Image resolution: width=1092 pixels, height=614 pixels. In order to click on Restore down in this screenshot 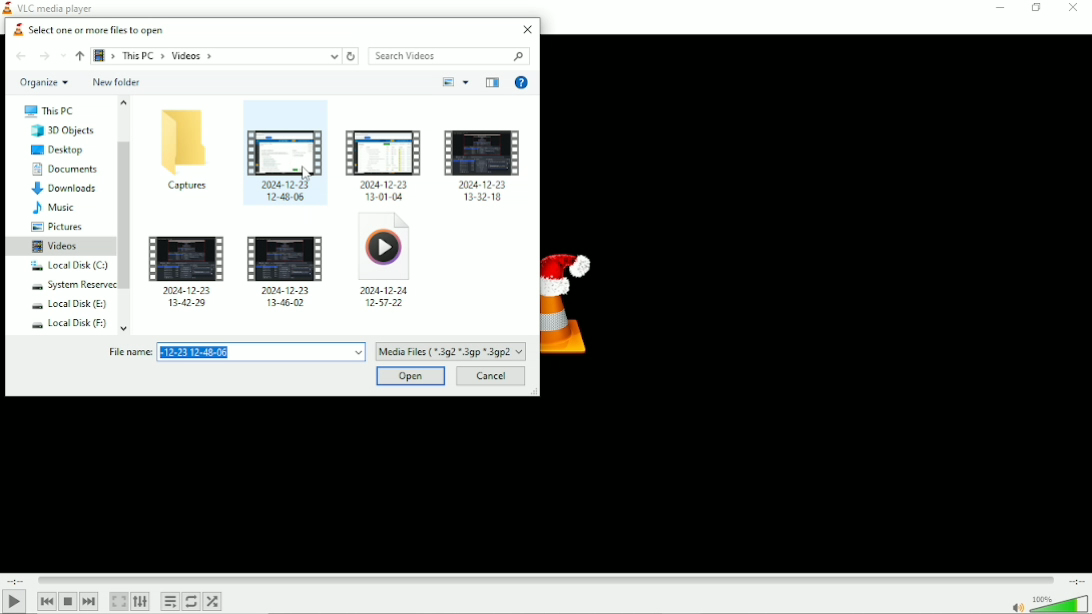, I will do `click(1035, 7)`.